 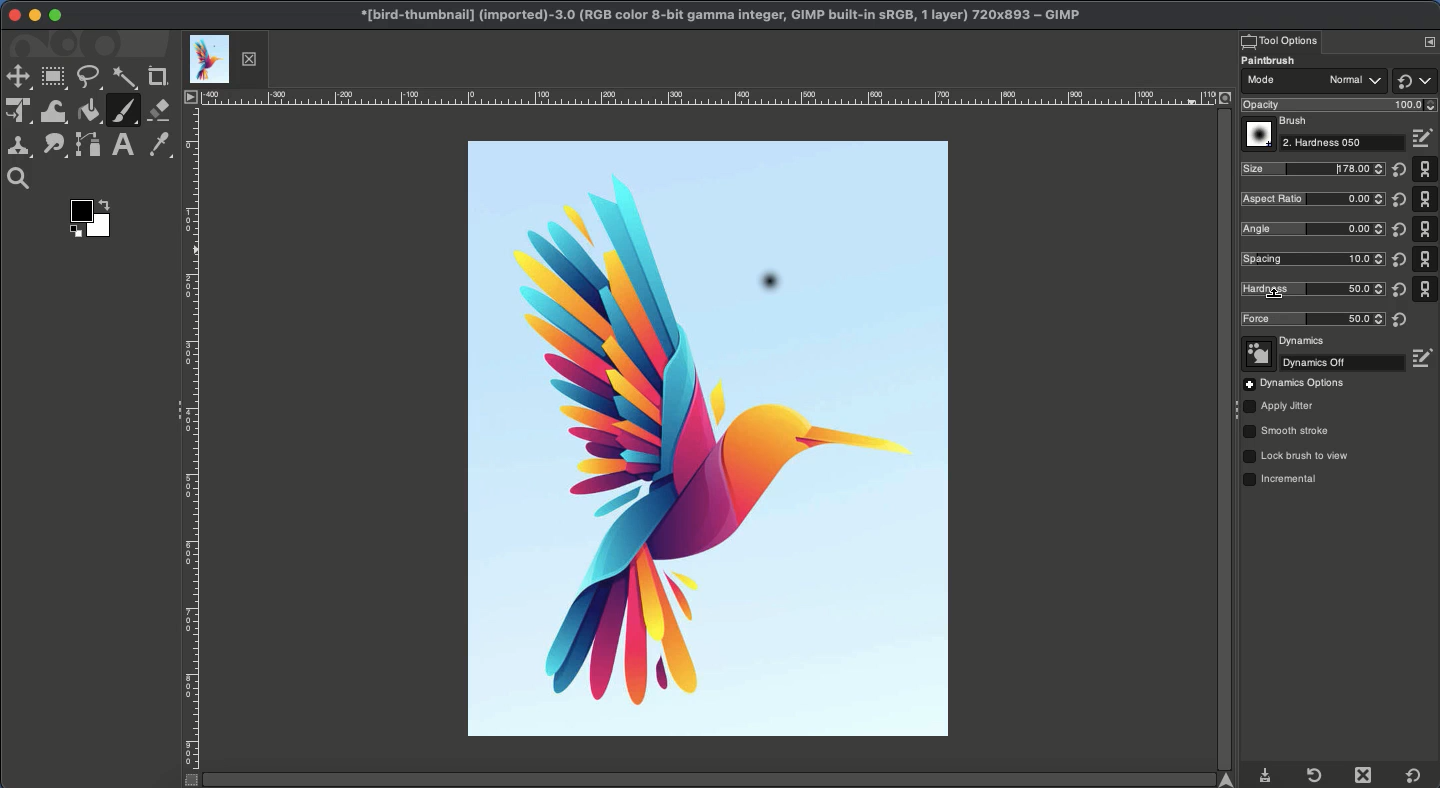 What do you see at coordinates (1297, 456) in the screenshot?
I see `Lock ` at bounding box center [1297, 456].